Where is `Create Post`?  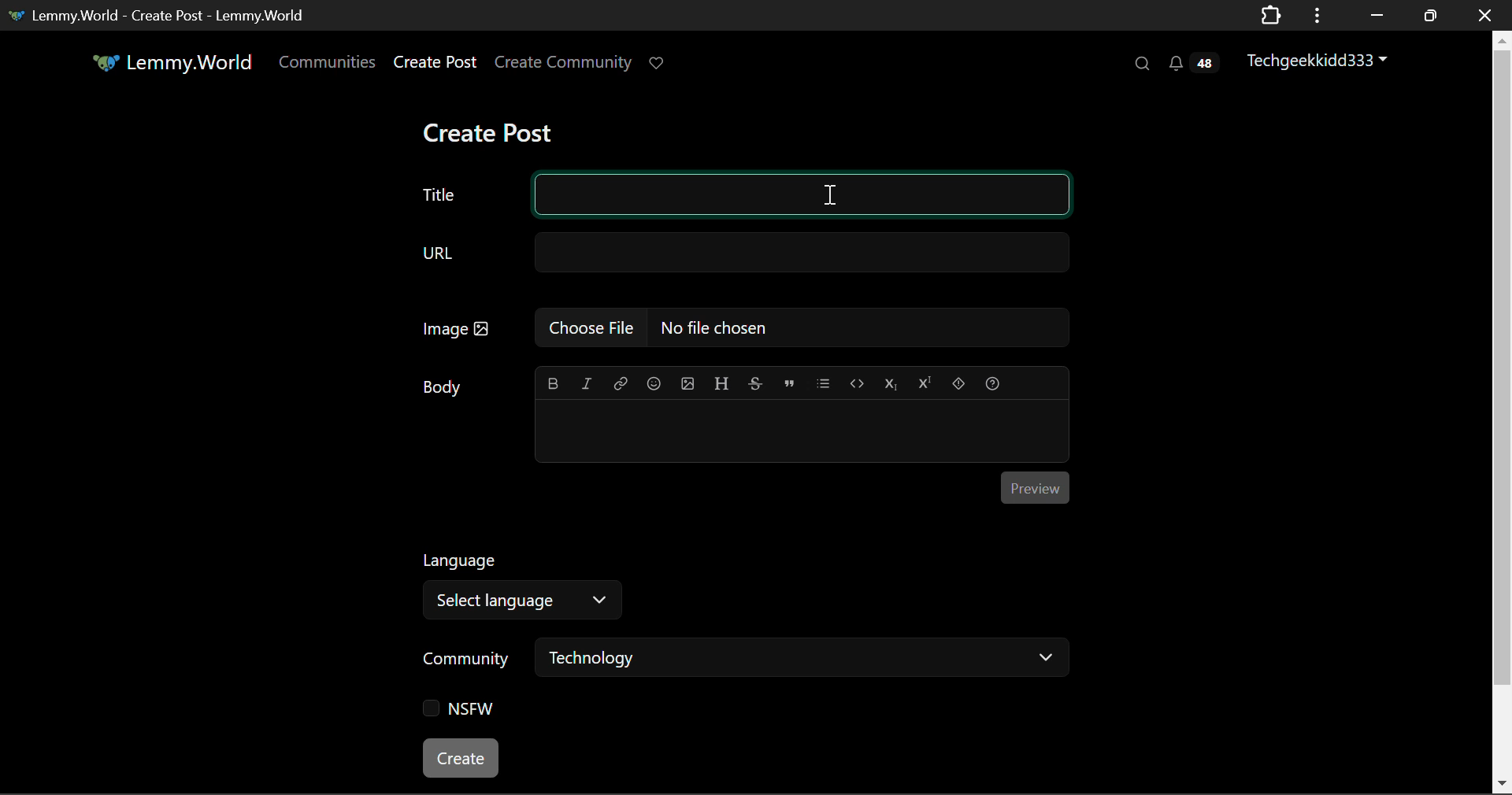
Create Post is located at coordinates (487, 135).